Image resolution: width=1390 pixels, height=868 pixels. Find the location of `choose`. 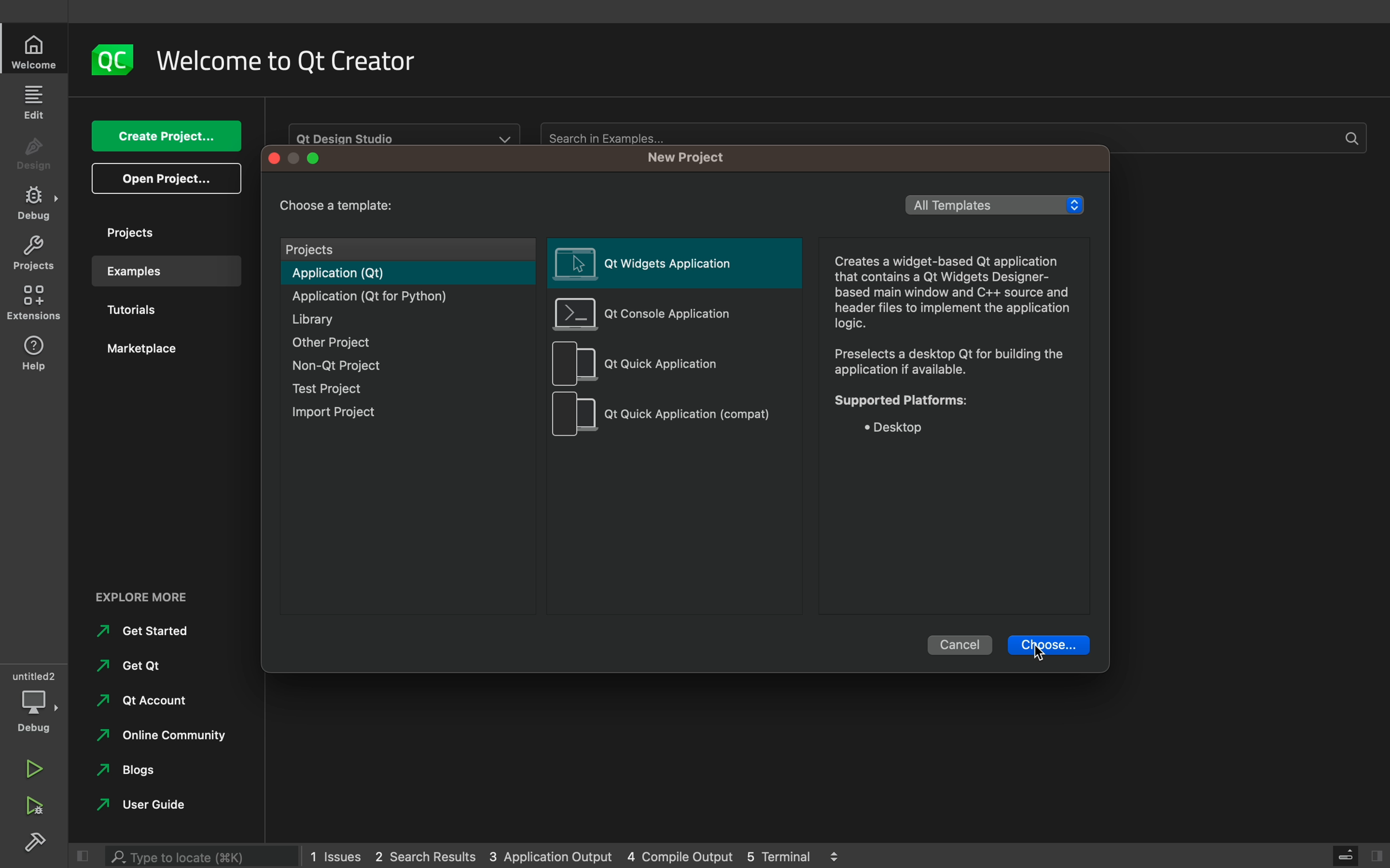

choose is located at coordinates (1050, 644).